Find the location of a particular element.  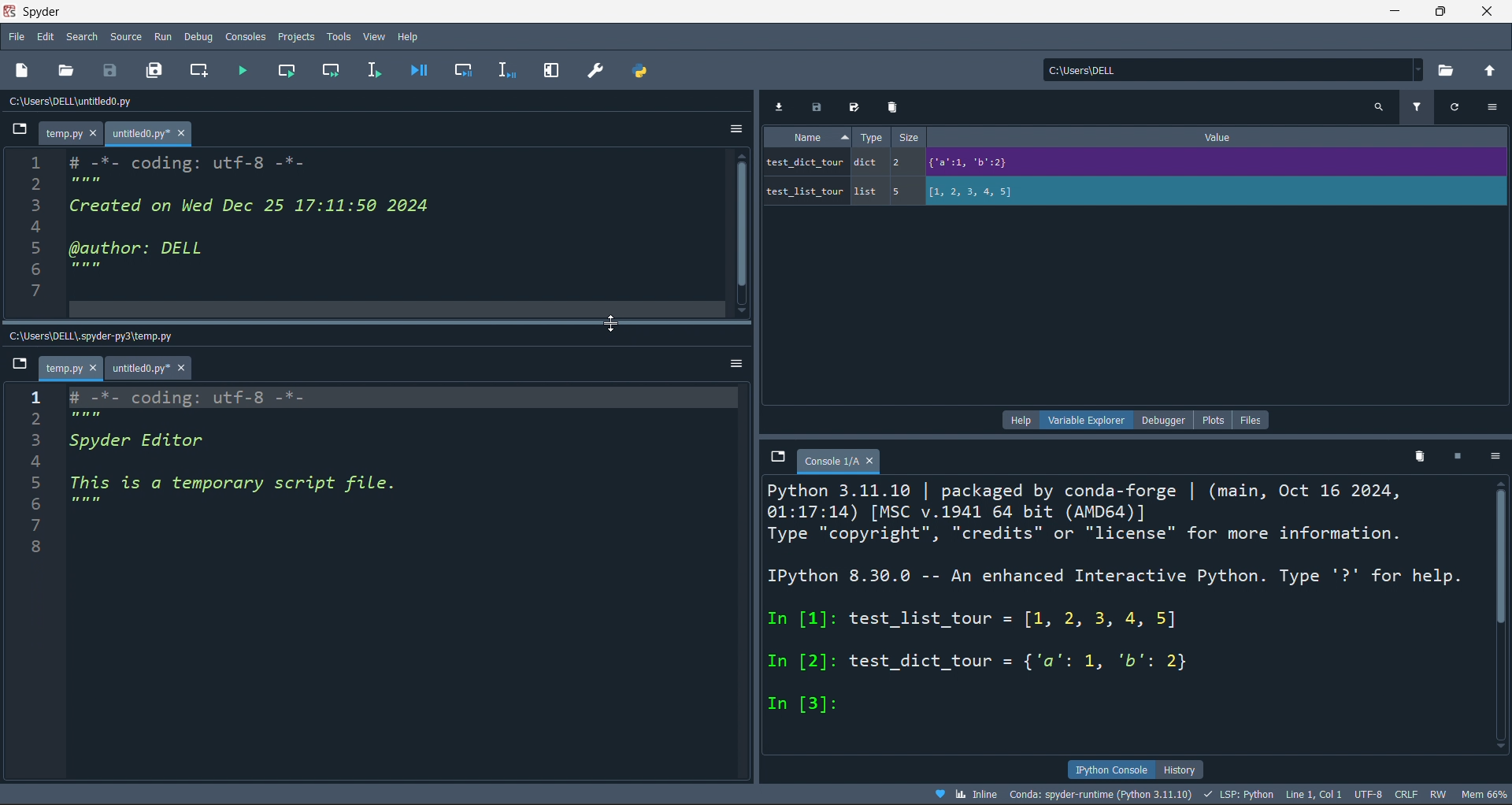

browse tabs is located at coordinates (19, 131).